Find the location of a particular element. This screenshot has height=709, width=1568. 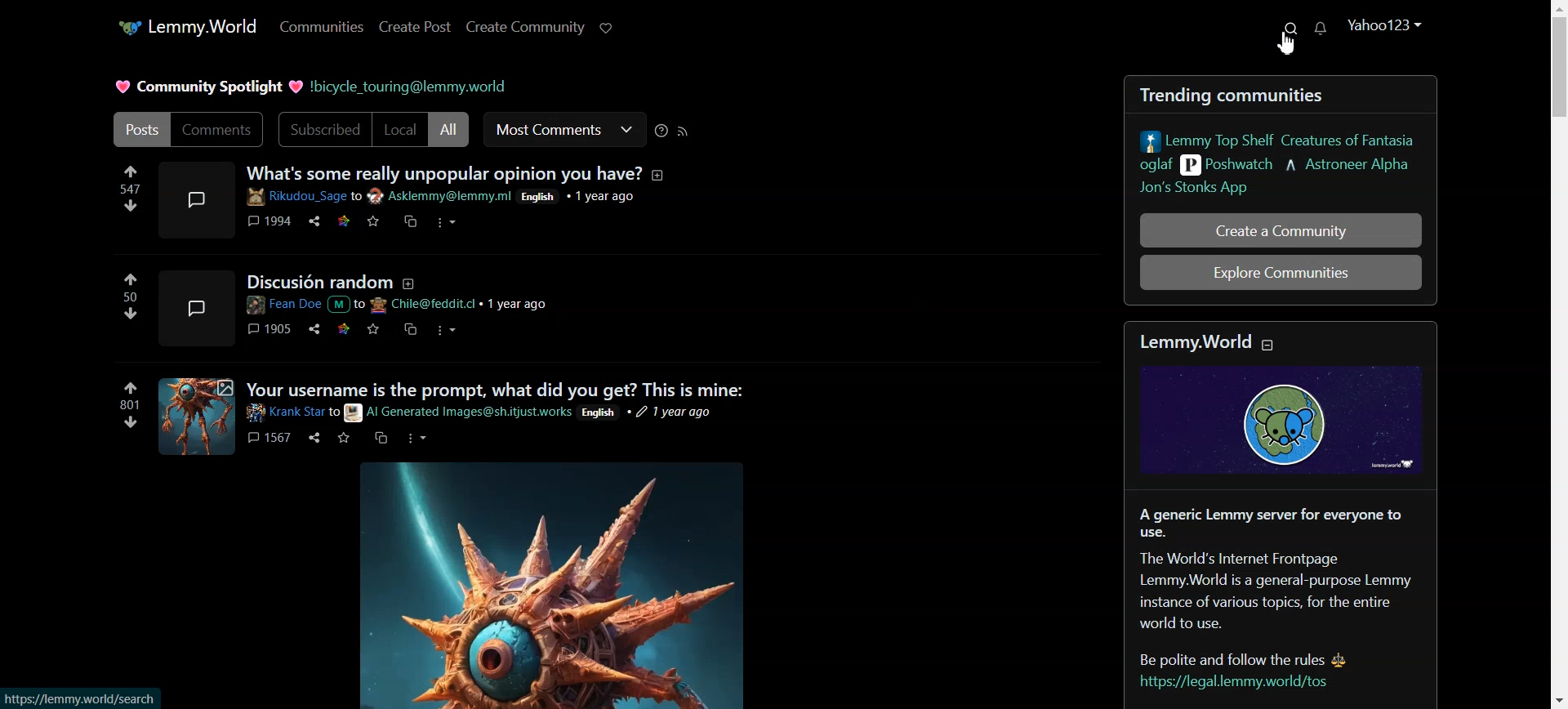

547 is located at coordinates (127, 191).